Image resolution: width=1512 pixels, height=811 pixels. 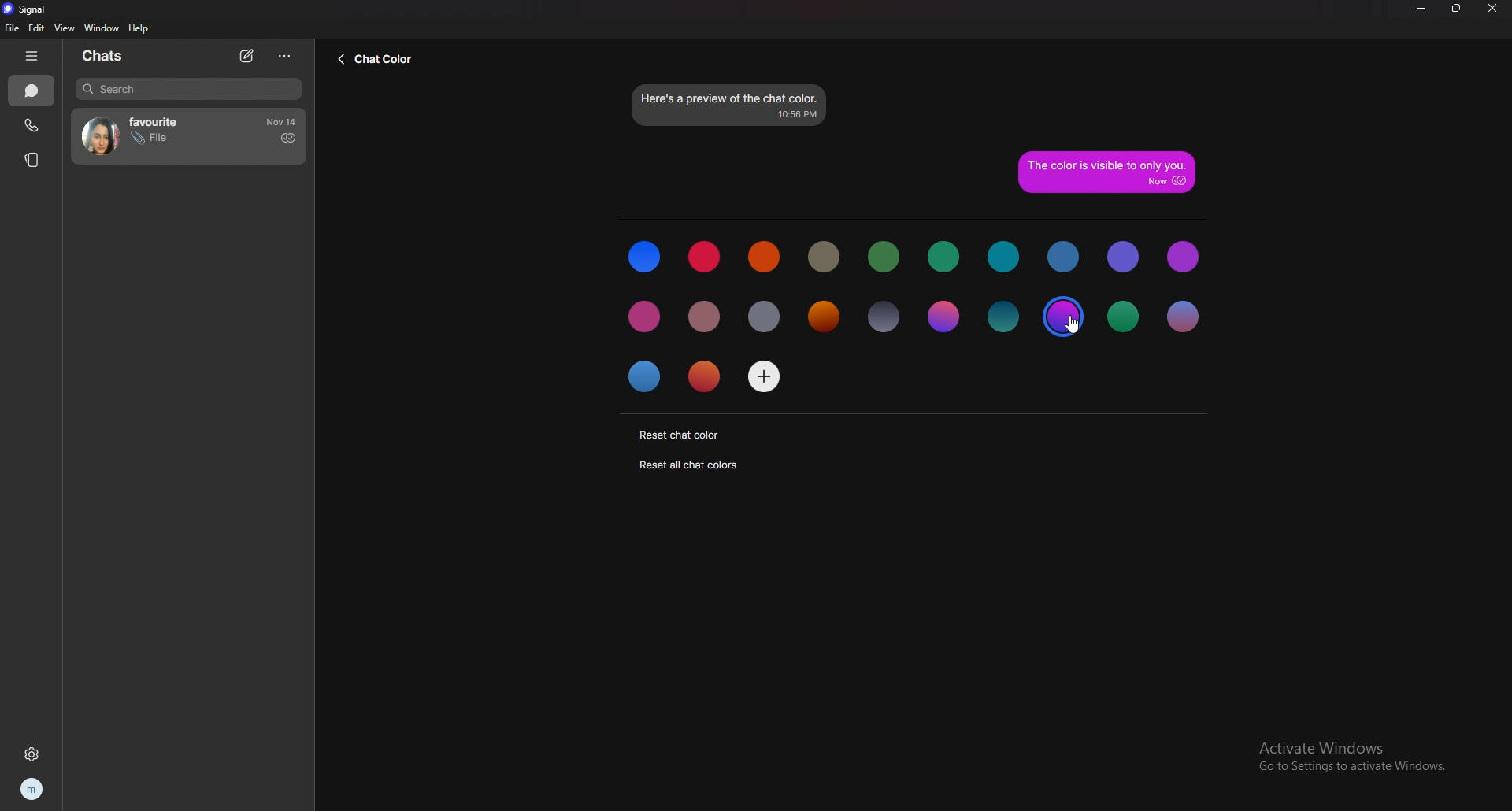 I want to click on view, so click(x=64, y=28).